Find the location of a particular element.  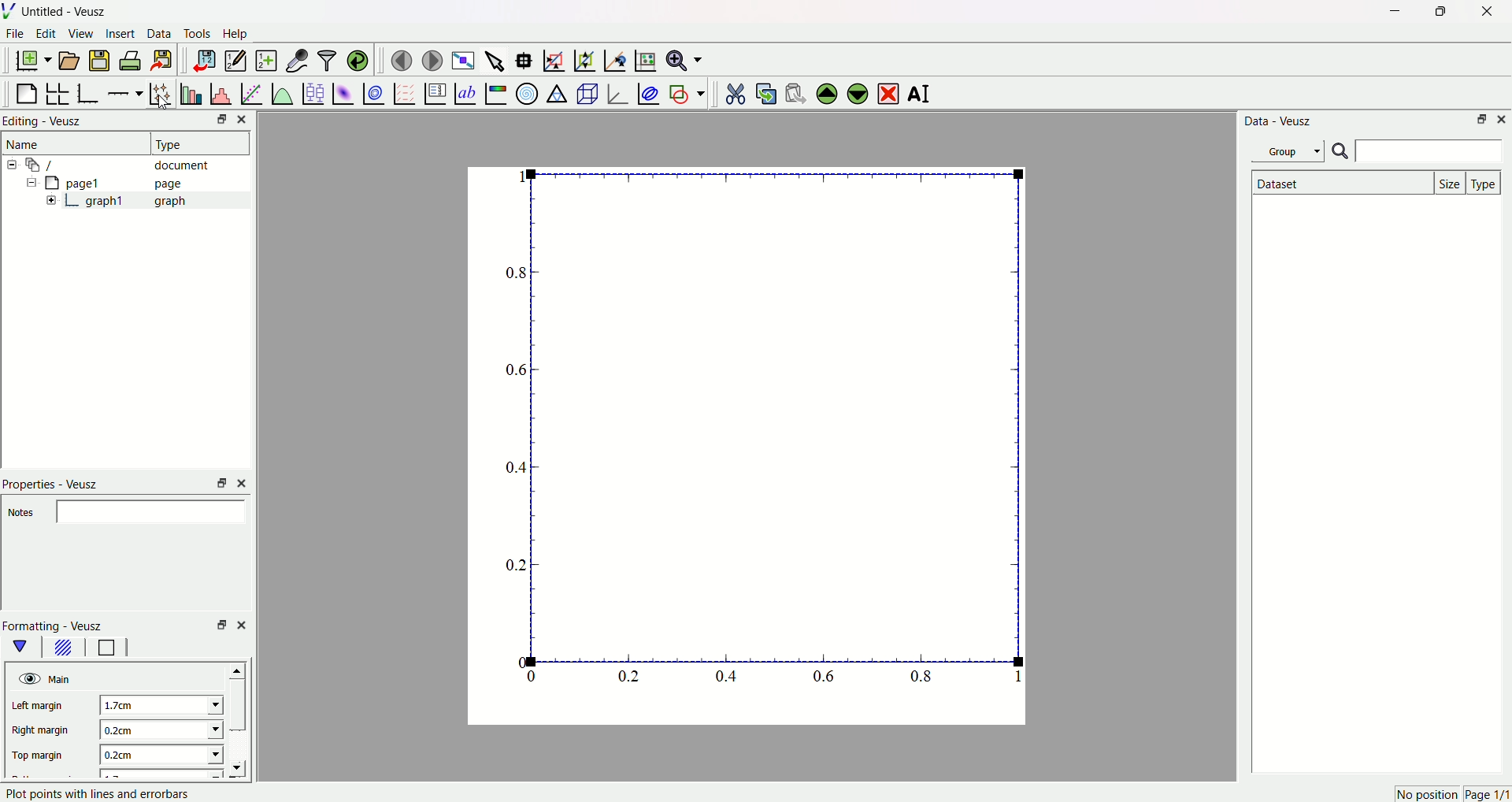

create new datasets is located at coordinates (265, 61).